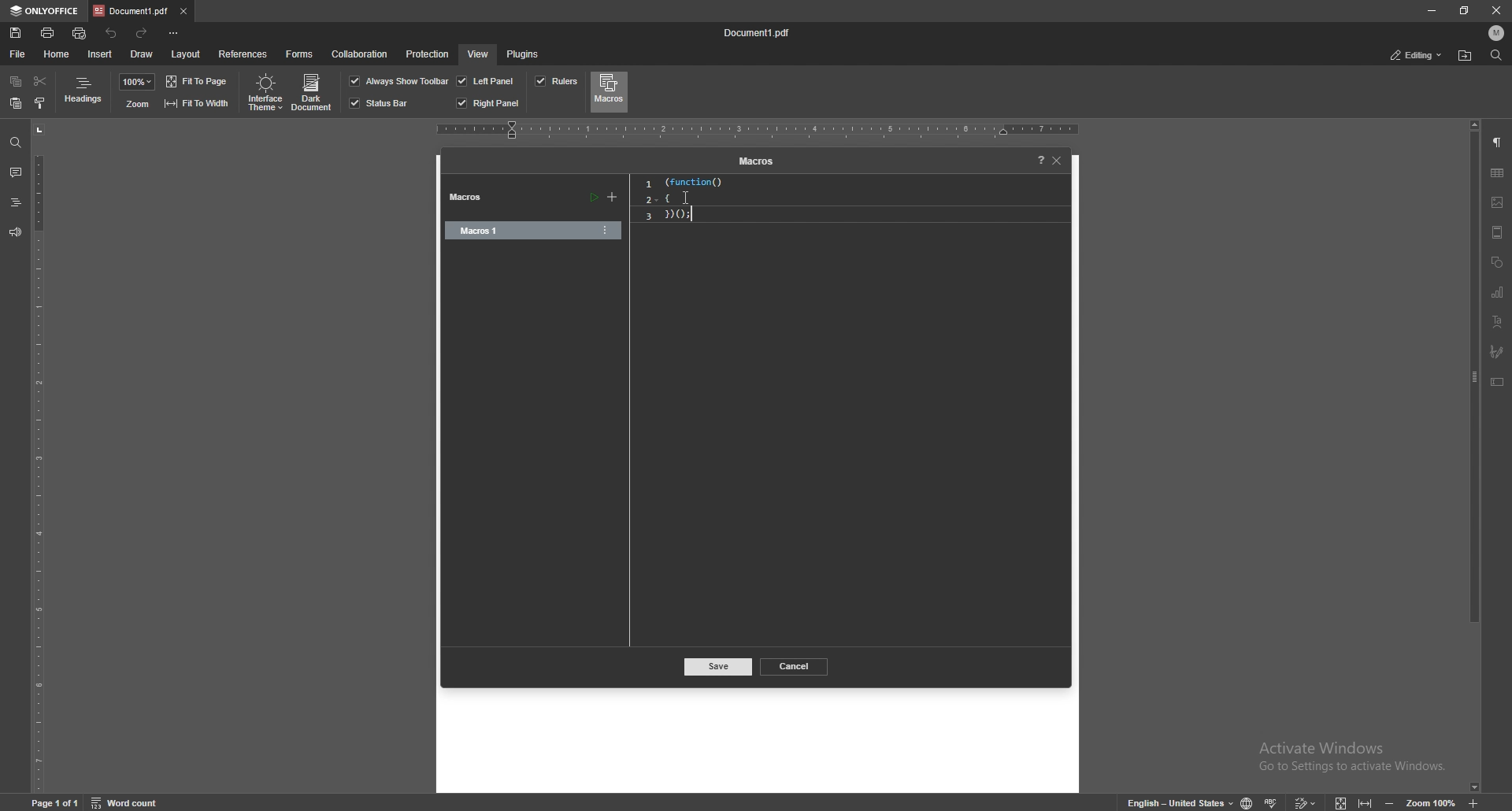  I want to click on macros, so click(609, 91).